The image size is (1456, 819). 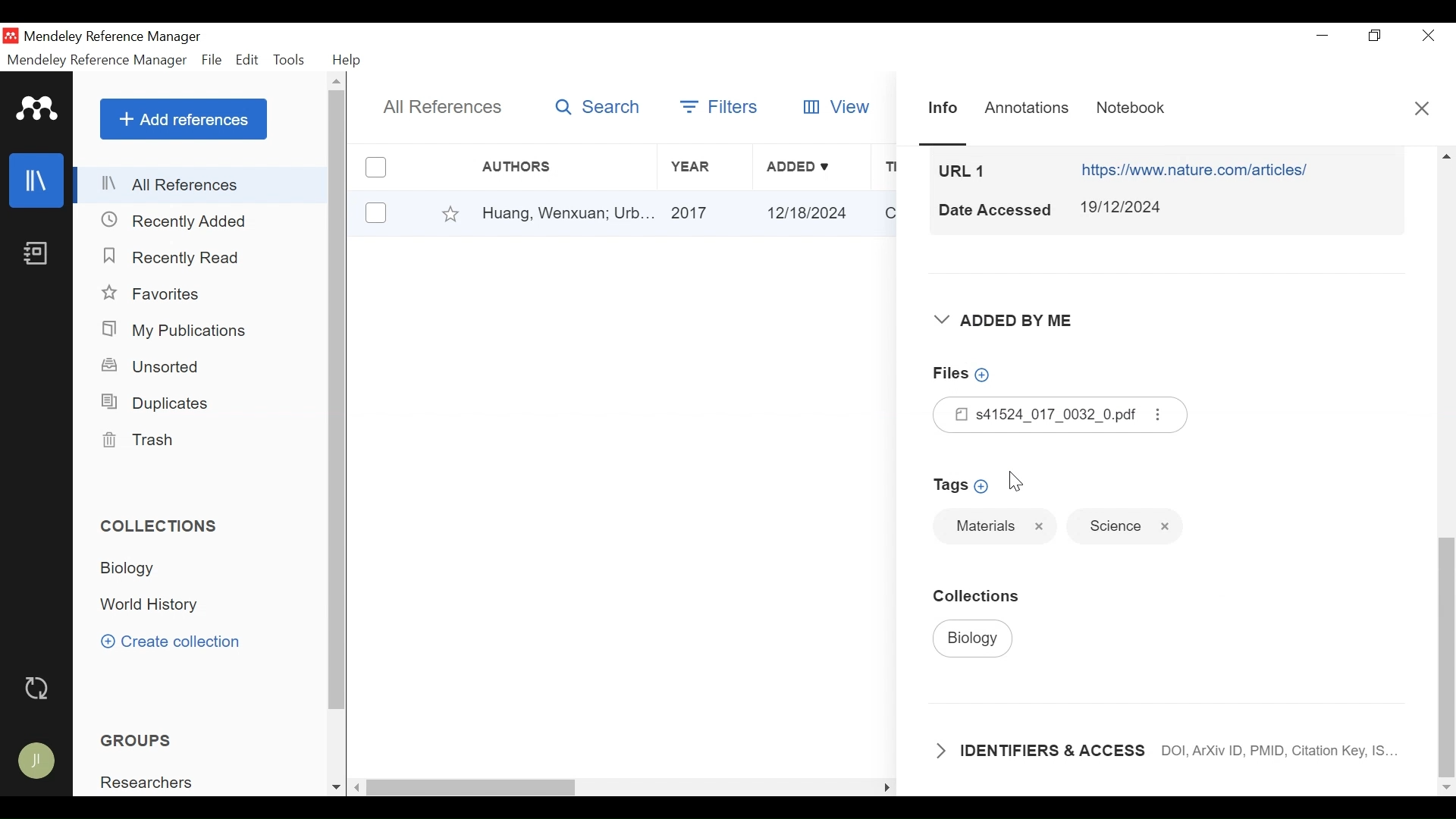 What do you see at coordinates (166, 526) in the screenshot?
I see `Collection` at bounding box center [166, 526].